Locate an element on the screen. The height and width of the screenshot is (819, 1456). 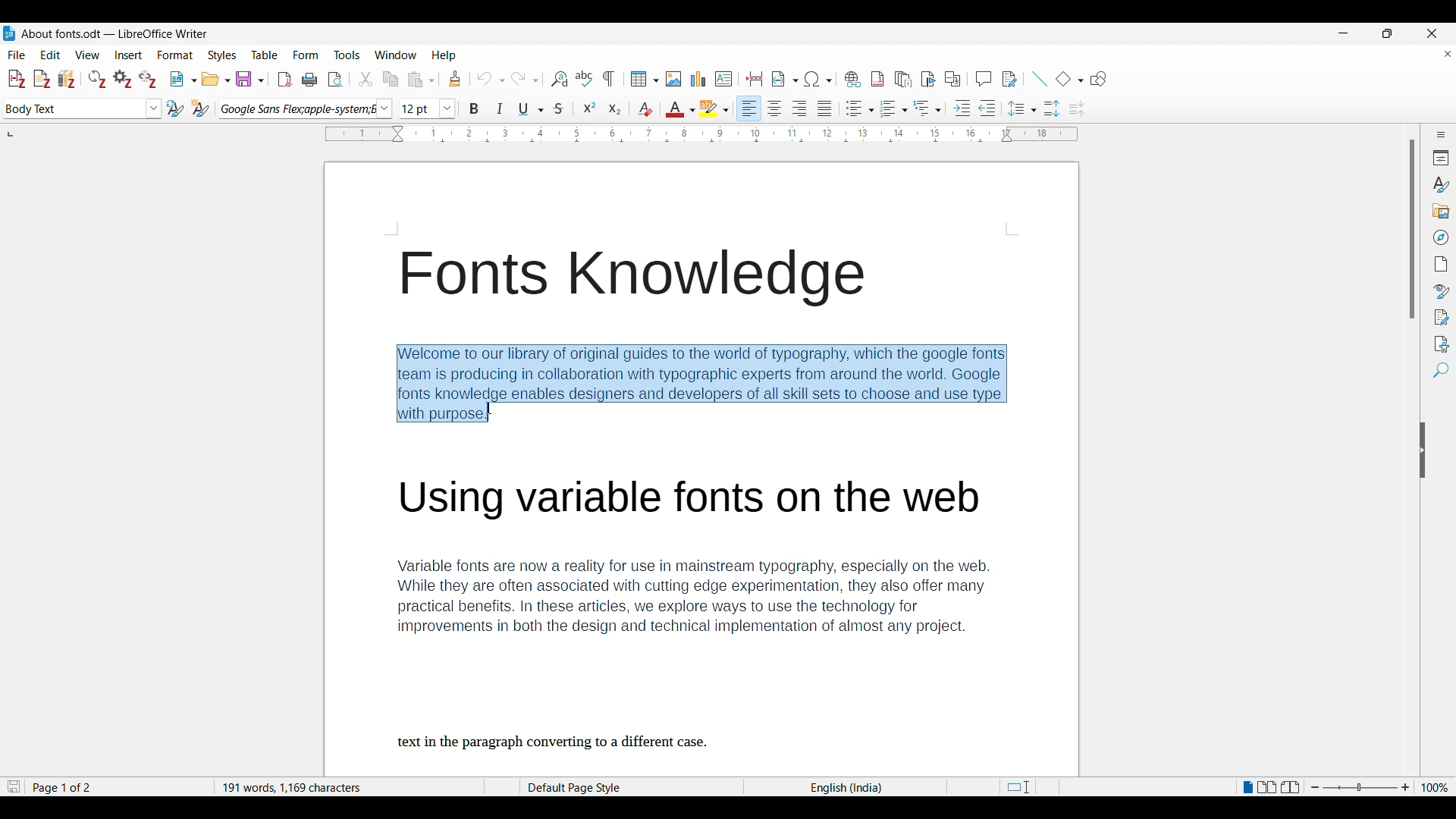
Navigator is located at coordinates (1442, 237).